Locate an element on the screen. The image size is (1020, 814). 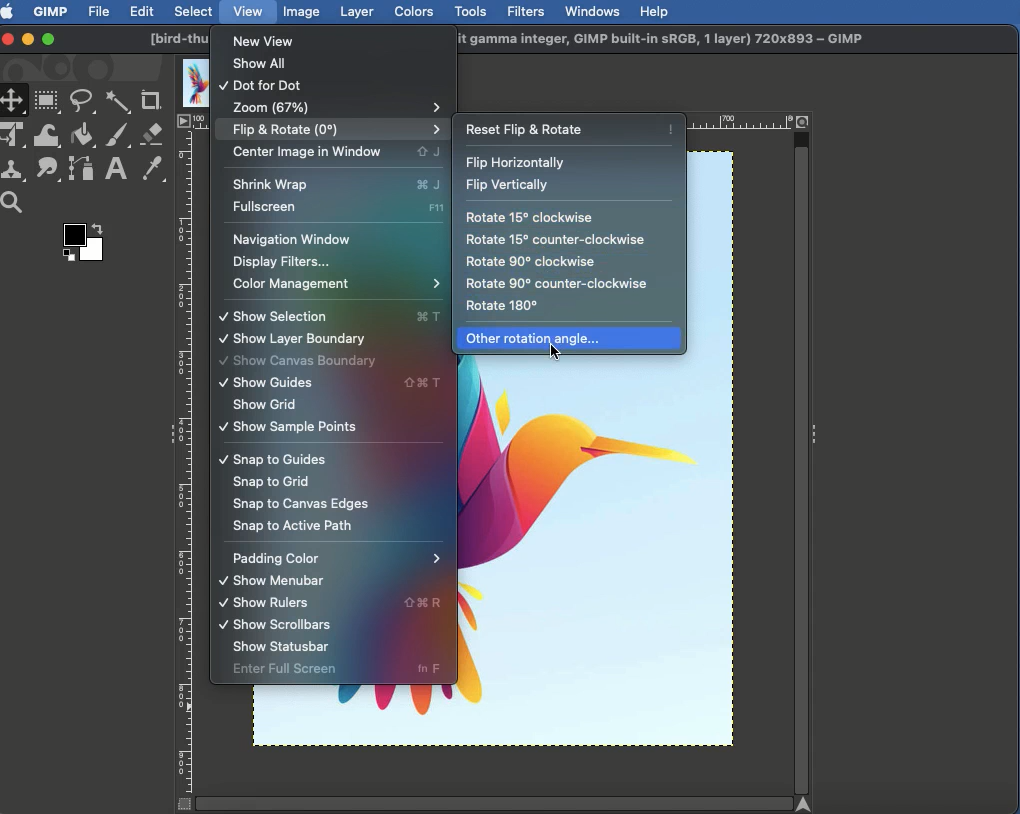
vertical Scrollbar is located at coordinates (802, 462).